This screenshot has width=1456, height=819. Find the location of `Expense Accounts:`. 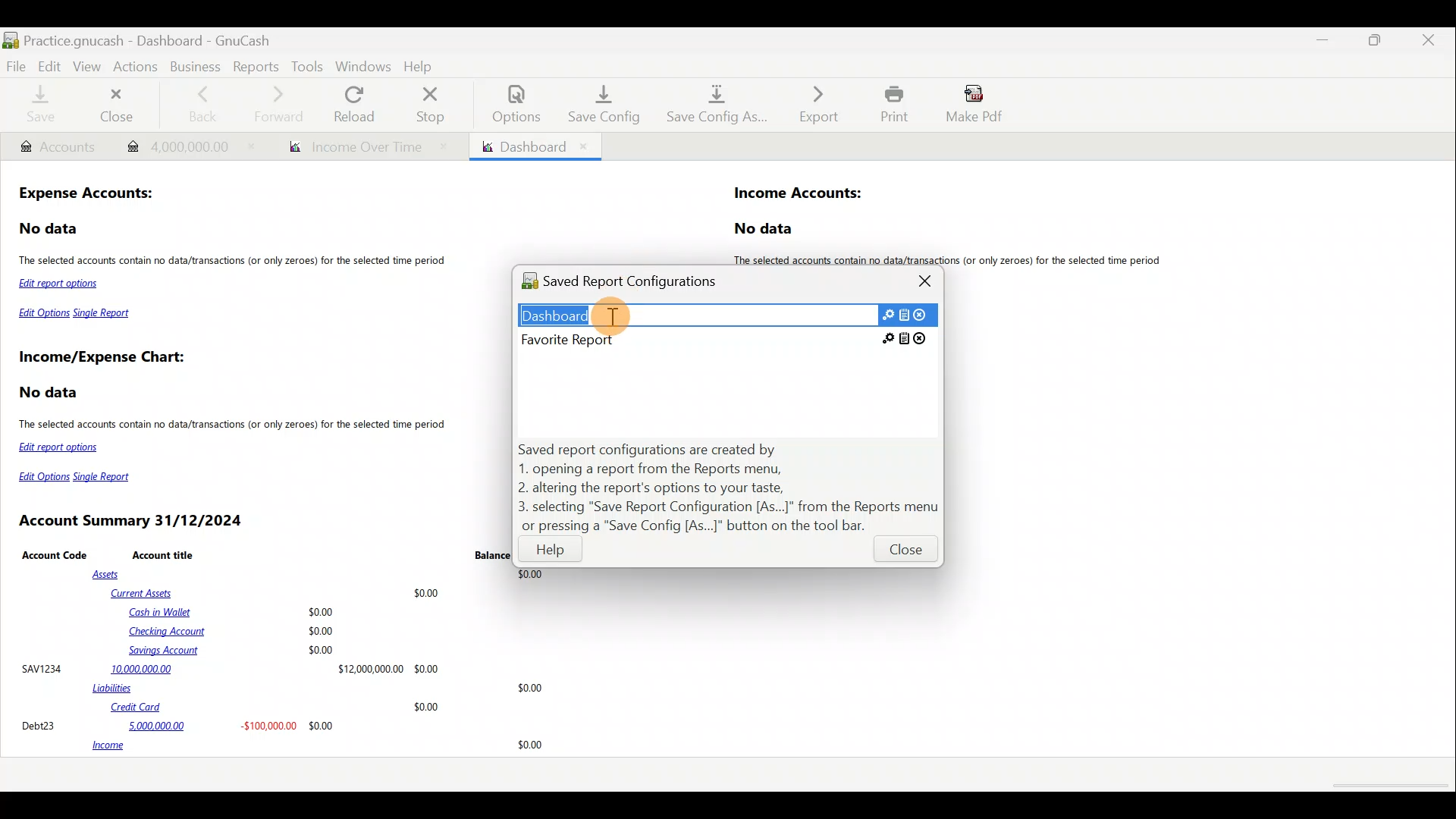

Expense Accounts: is located at coordinates (88, 195).